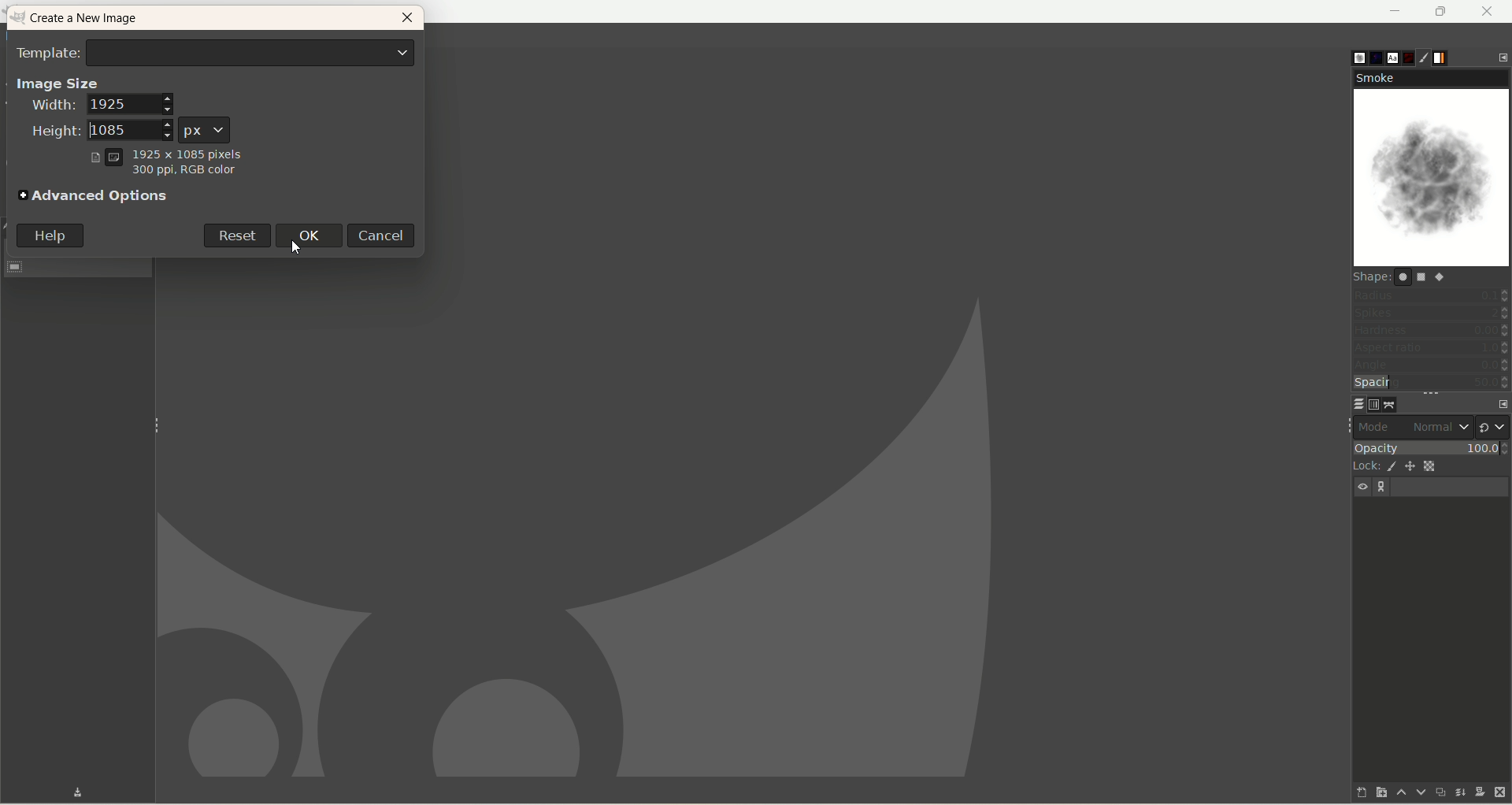 Image resolution: width=1512 pixels, height=805 pixels. What do you see at coordinates (65, 792) in the screenshot?
I see `save` at bounding box center [65, 792].